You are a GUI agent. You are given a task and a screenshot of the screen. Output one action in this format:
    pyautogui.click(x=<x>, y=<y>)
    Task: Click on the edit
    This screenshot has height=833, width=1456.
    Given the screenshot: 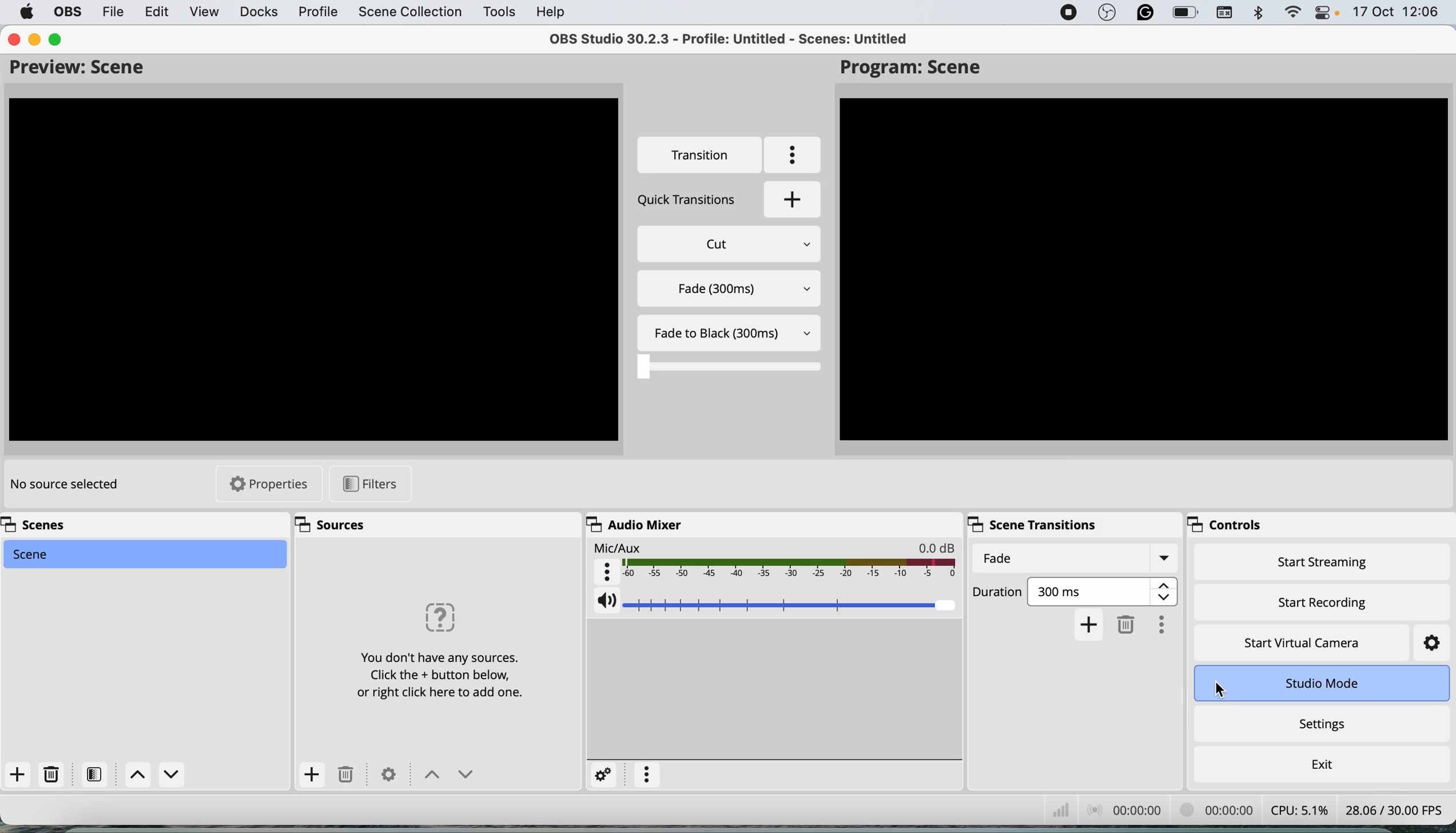 What is the action you would take?
    pyautogui.click(x=161, y=13)
    